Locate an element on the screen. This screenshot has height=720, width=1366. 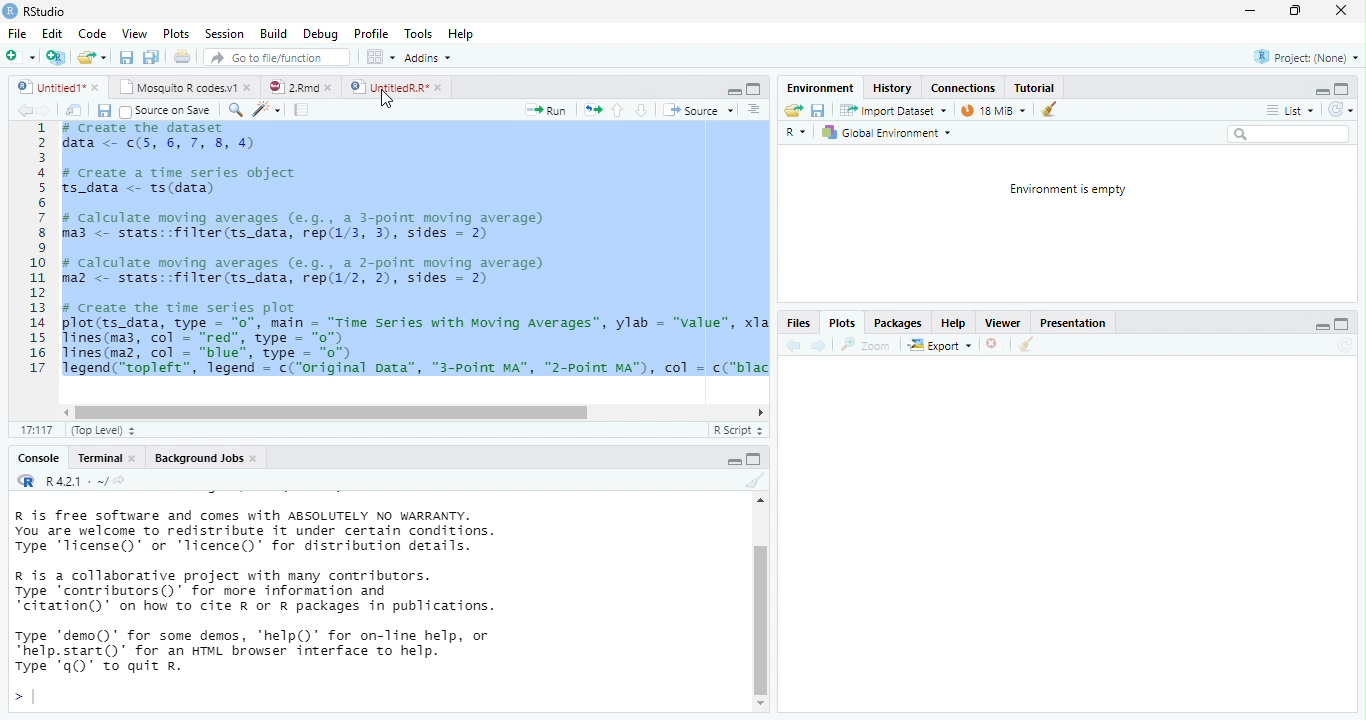
Plots is located at coordinates (840, 325).